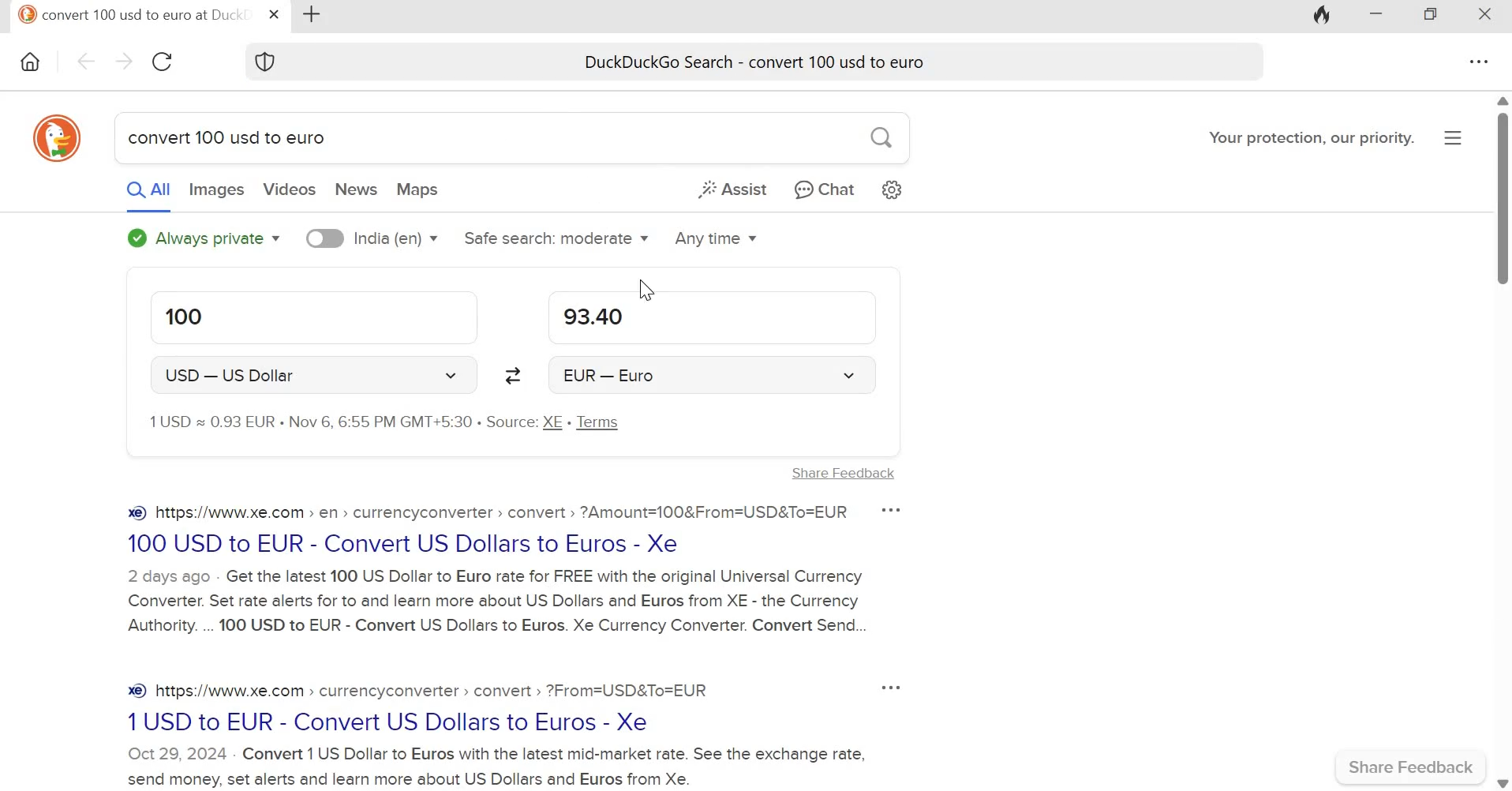 This screenshot has height=791, width=1512. I want to click on Go back one page, so click(86, 60).